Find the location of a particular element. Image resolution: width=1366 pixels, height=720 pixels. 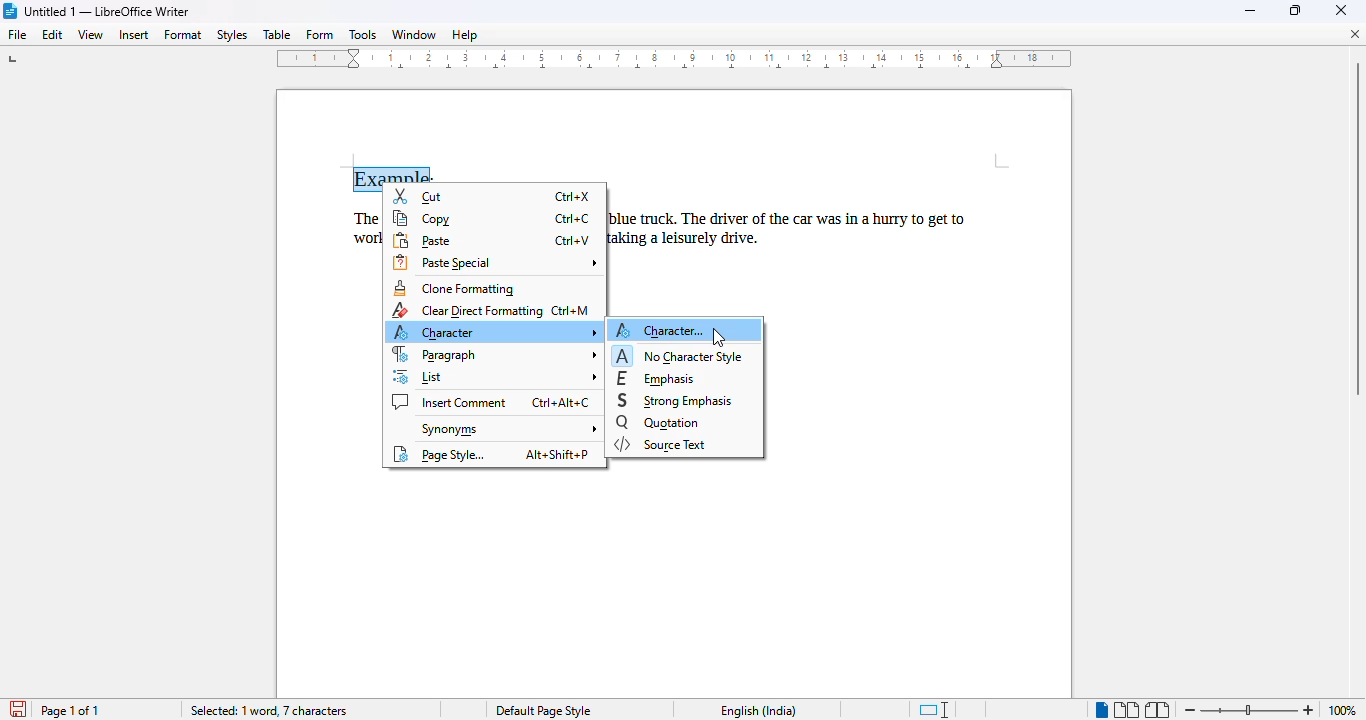

strong emphasis is located at coordinates (676, 401).